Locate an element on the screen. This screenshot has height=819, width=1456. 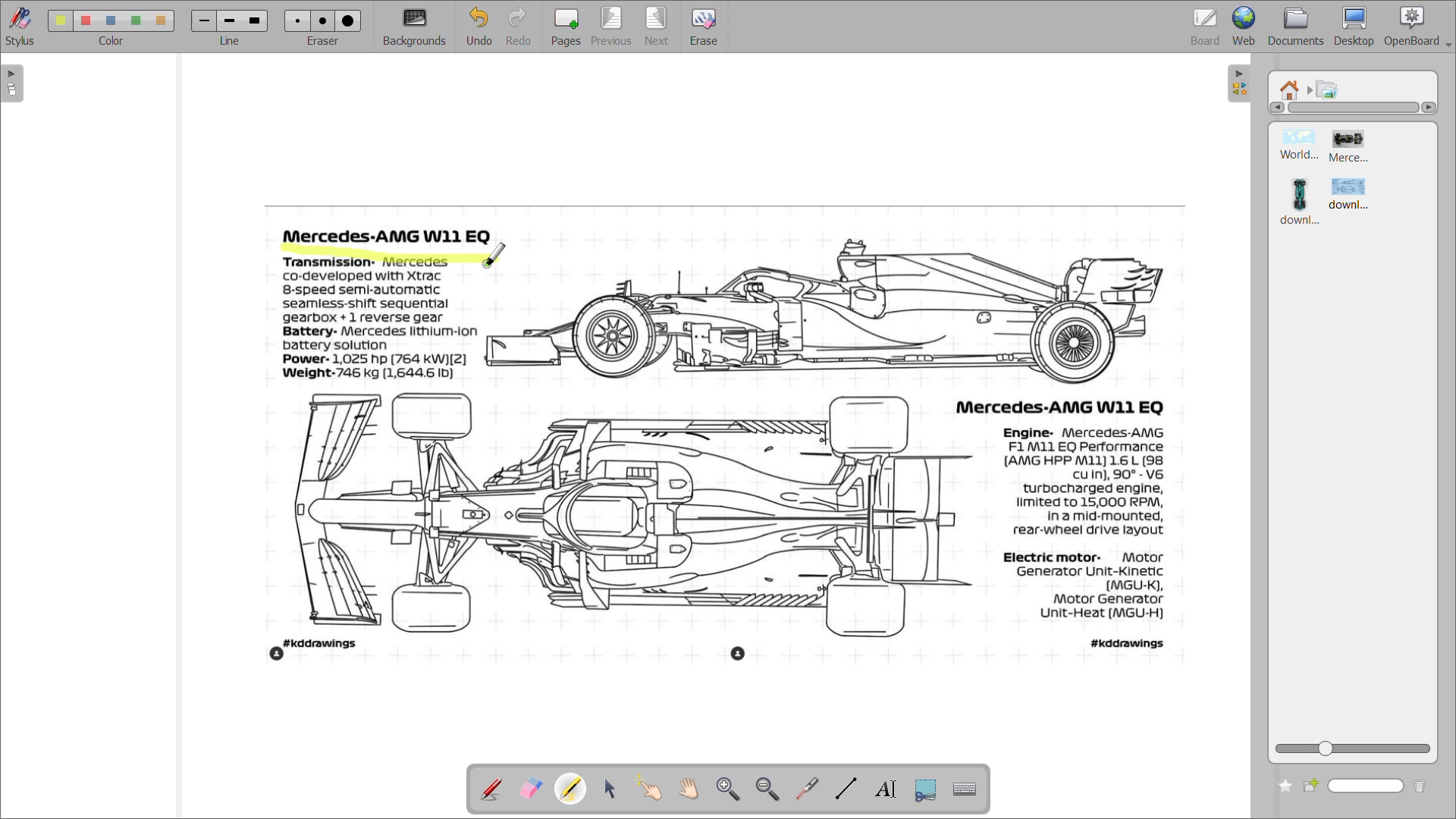
color  is located at coordinates (110, 42).